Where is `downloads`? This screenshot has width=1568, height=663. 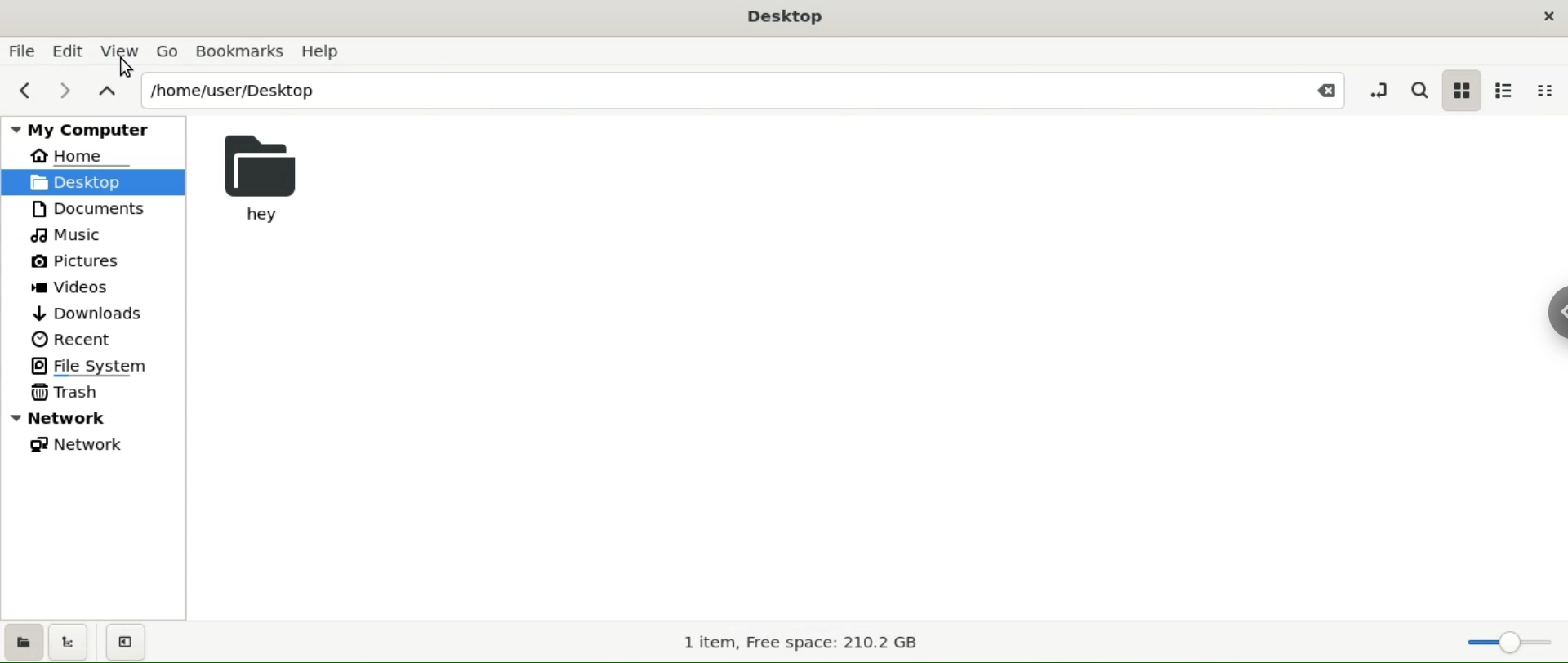 downloads is located at coordinates (91, 310).